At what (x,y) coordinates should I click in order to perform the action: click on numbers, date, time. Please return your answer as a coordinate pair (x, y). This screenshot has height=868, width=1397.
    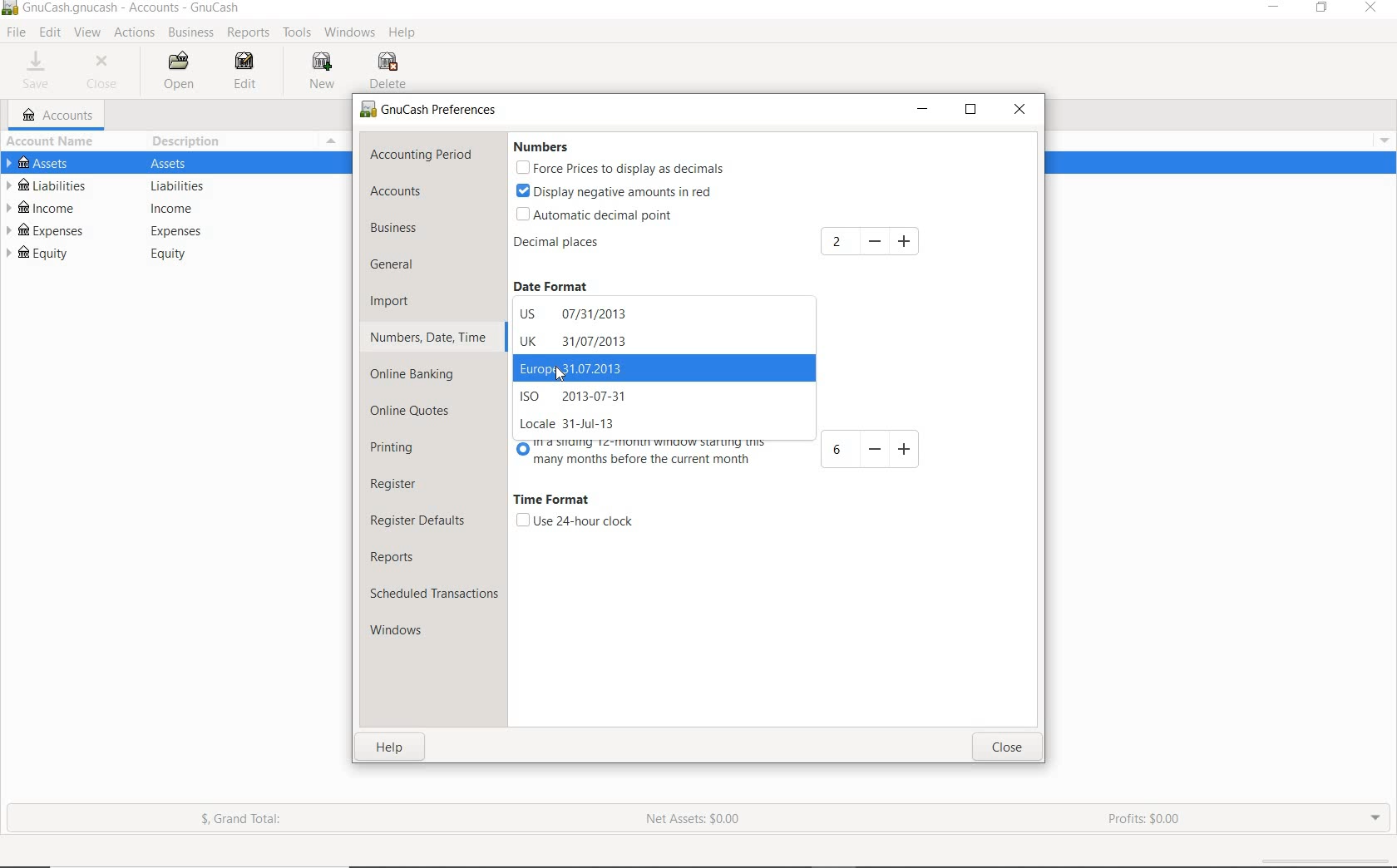
    Looking at the image, I should click on (428, 337).